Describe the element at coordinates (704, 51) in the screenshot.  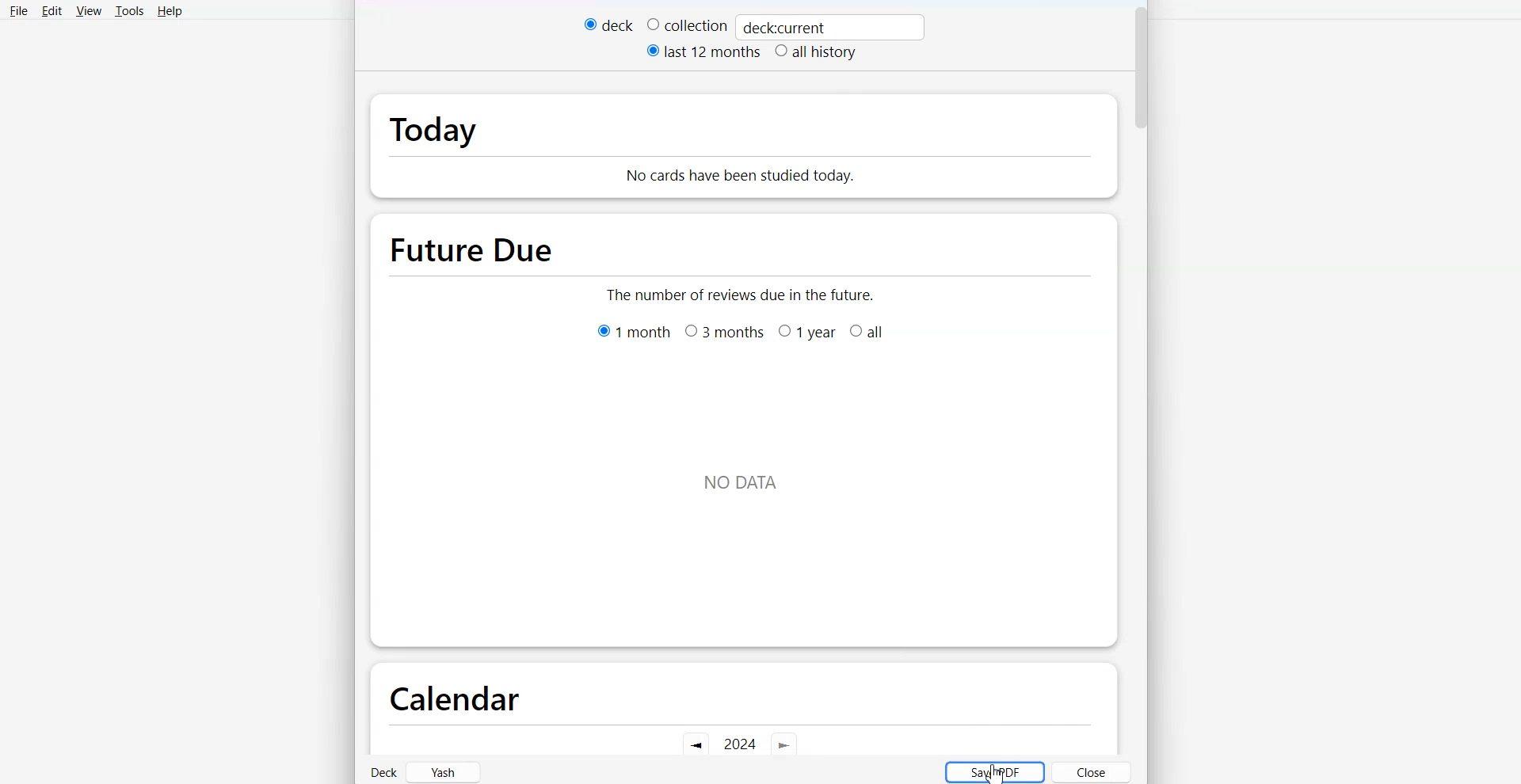
I see `last 12 months` at that location.